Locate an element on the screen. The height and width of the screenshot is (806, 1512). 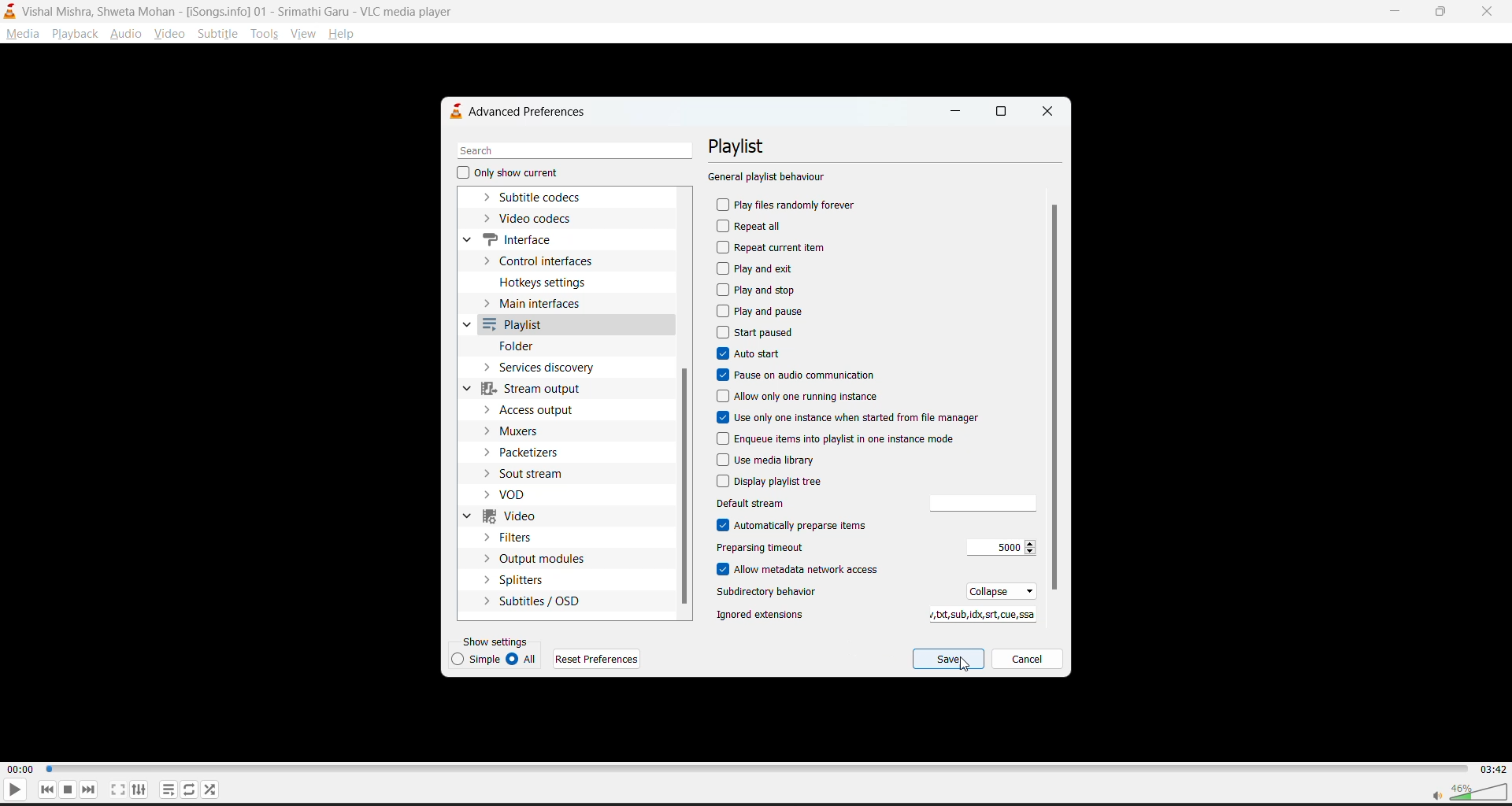
simple is located at coordinates (472, 660).